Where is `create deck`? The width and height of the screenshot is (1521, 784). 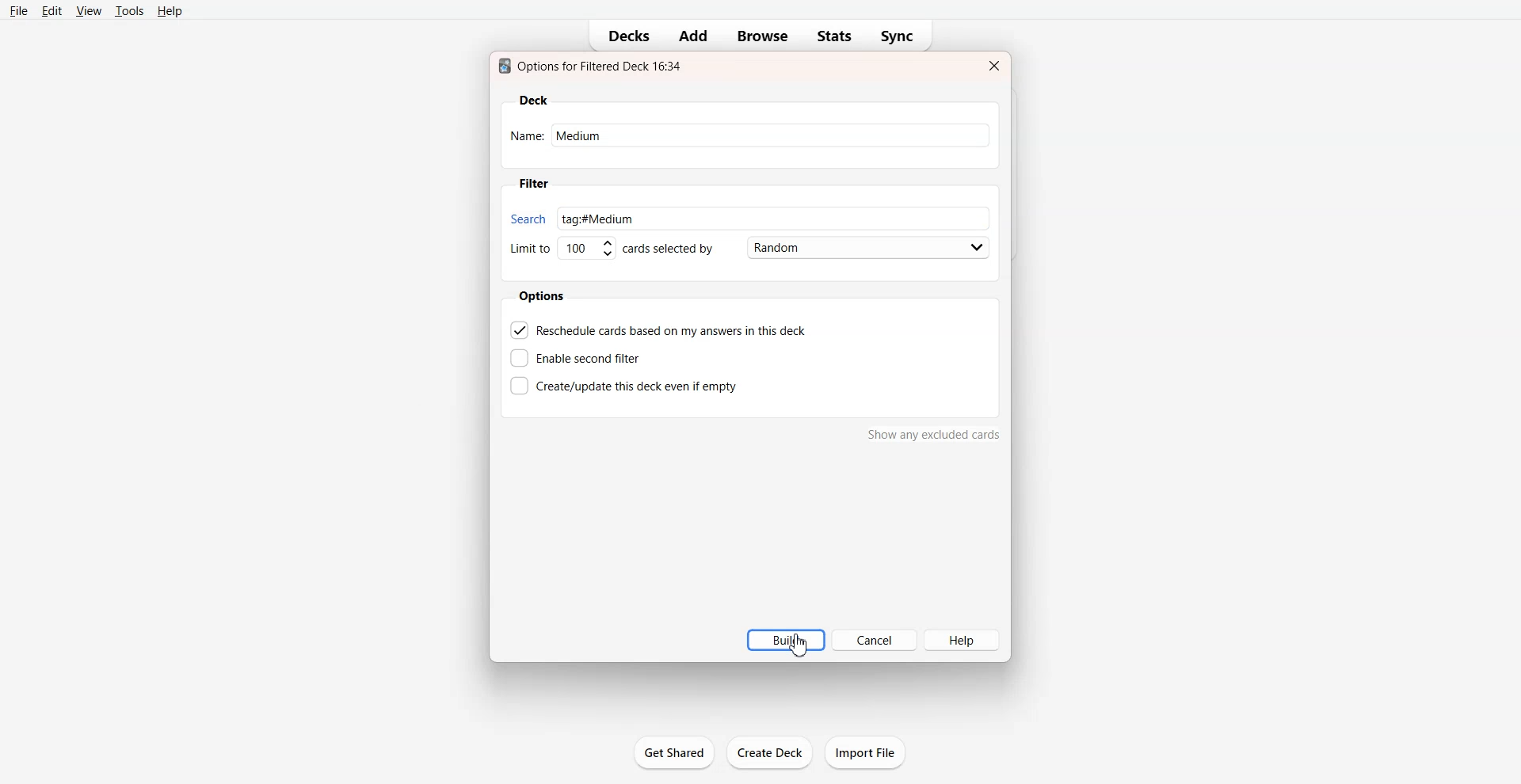 create deck is located at coordinates (774, 753).